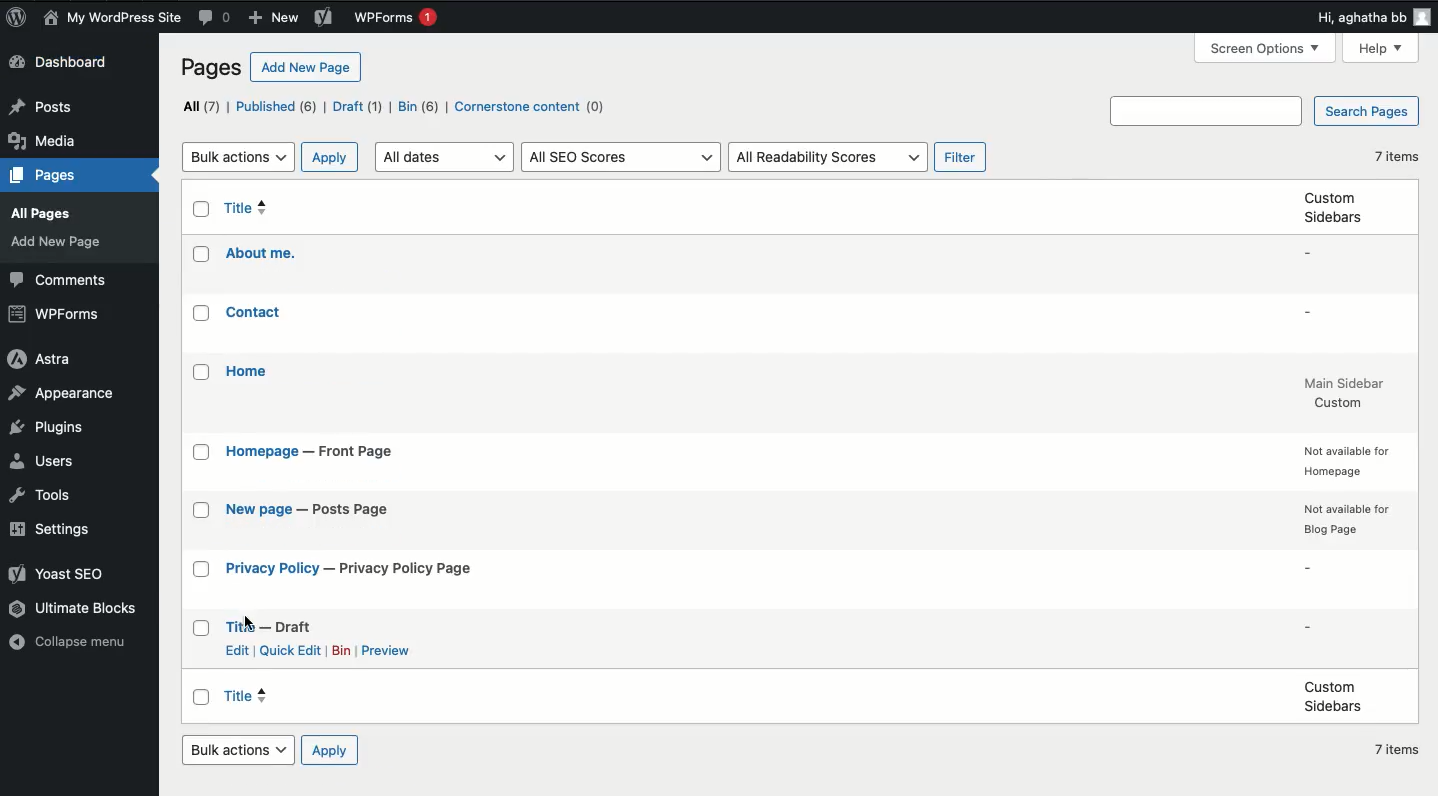 Image resolution: width=1438 pixels, height=796 pixels. I want to click on Add new page, so click(306, 67).